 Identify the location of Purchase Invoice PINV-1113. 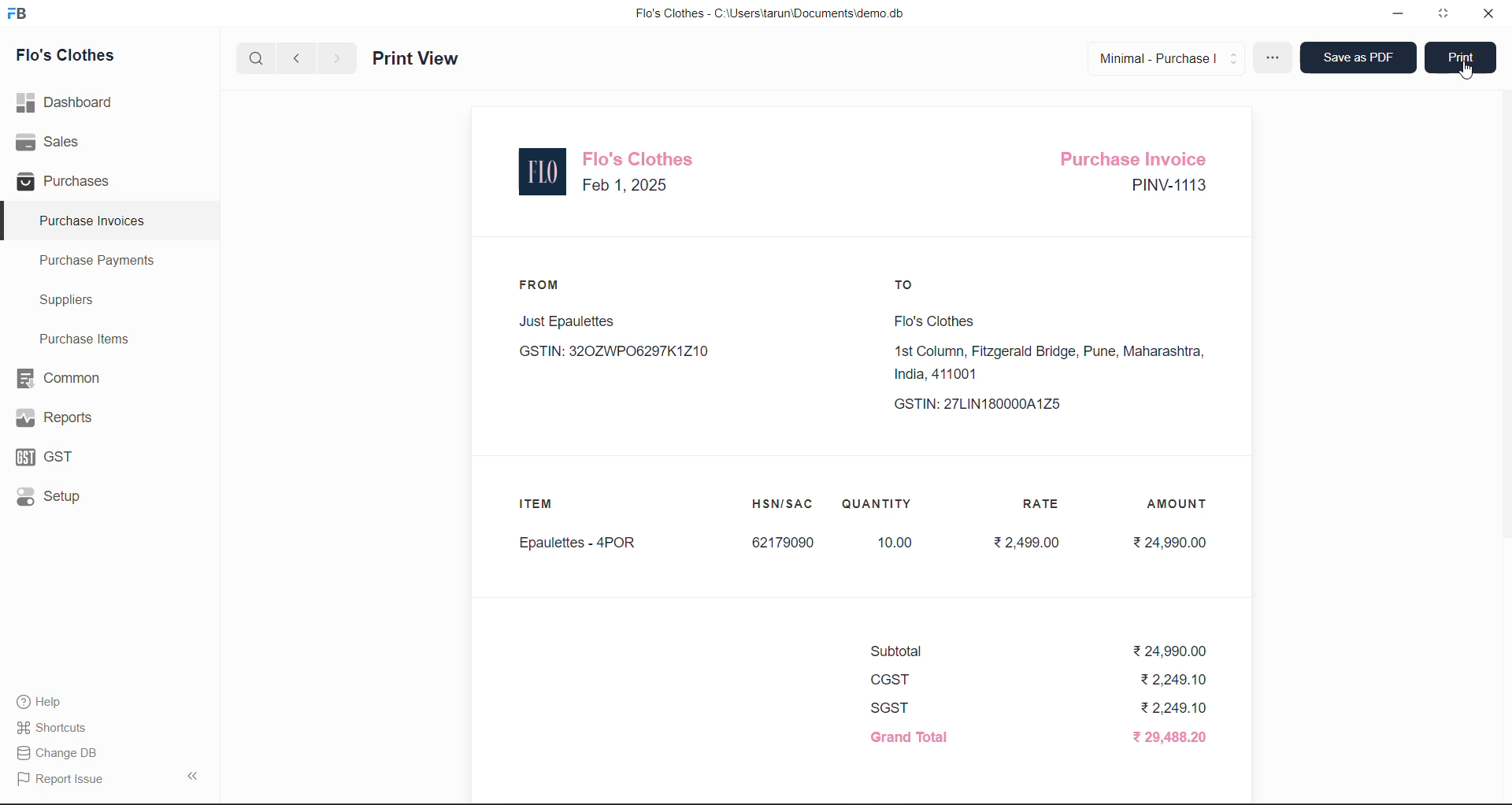
(1141, 174).